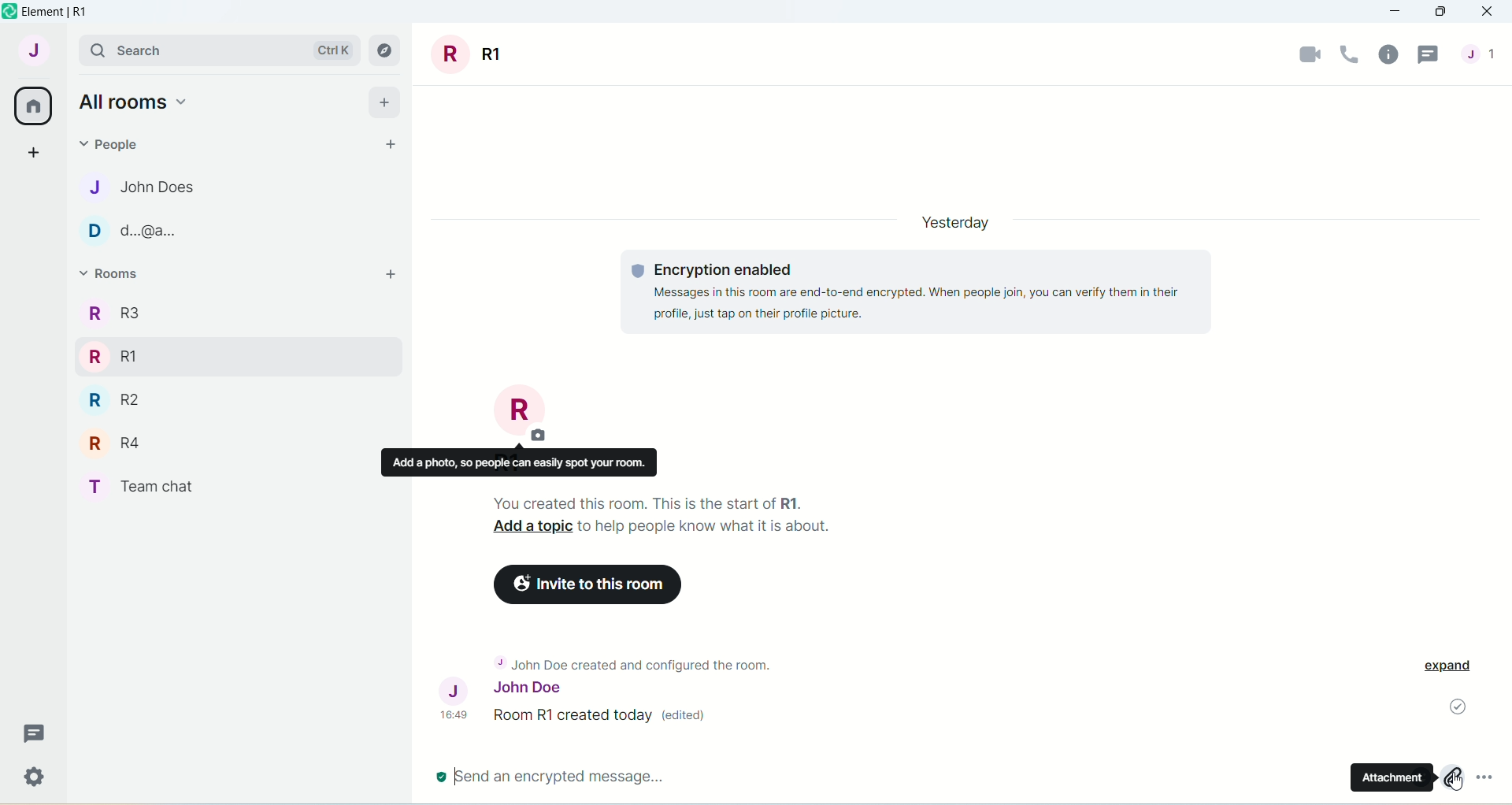  I want to click on attachment, so click(1392, 778).